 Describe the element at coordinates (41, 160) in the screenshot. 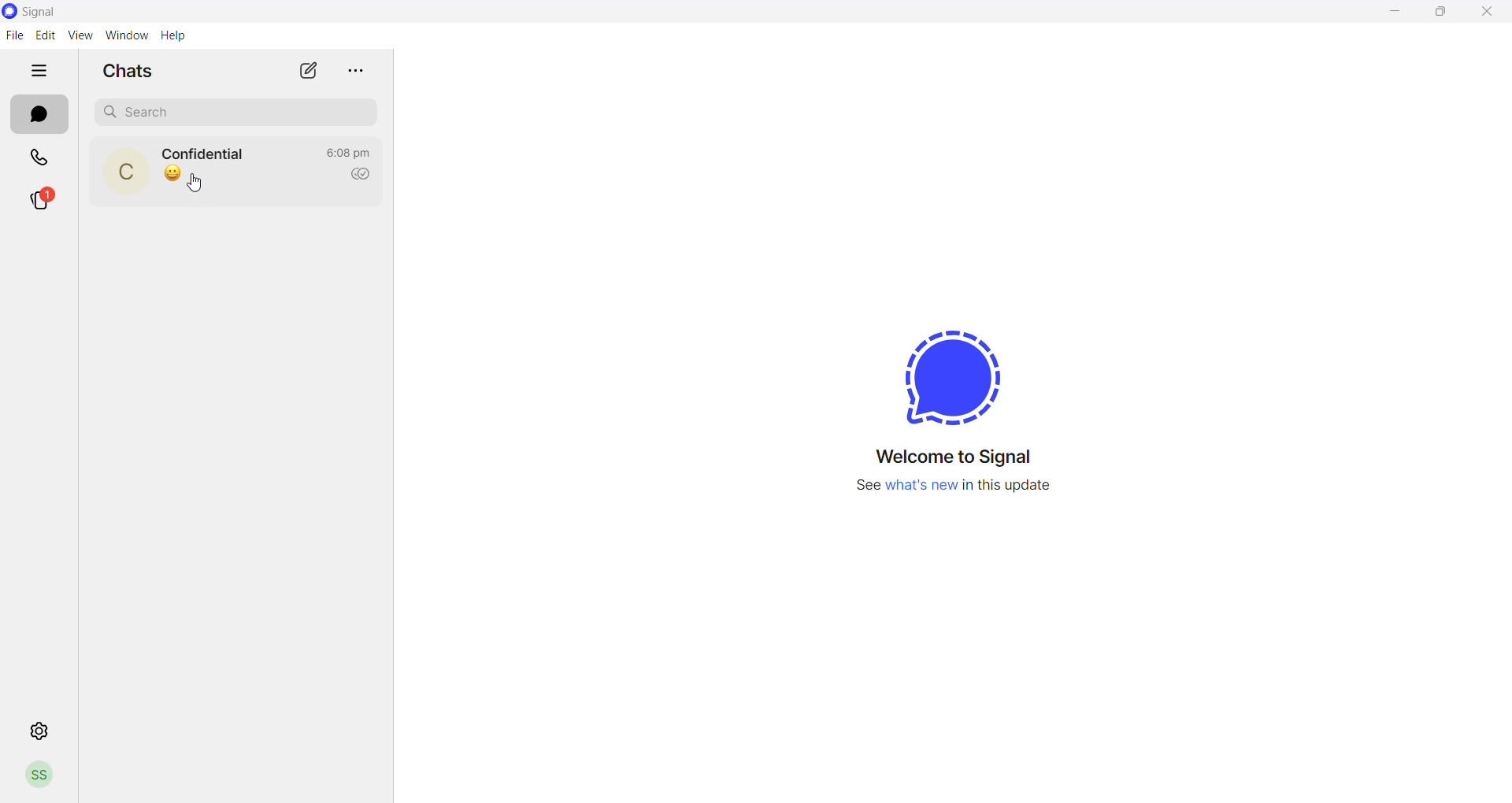

I see `calls` at that location.